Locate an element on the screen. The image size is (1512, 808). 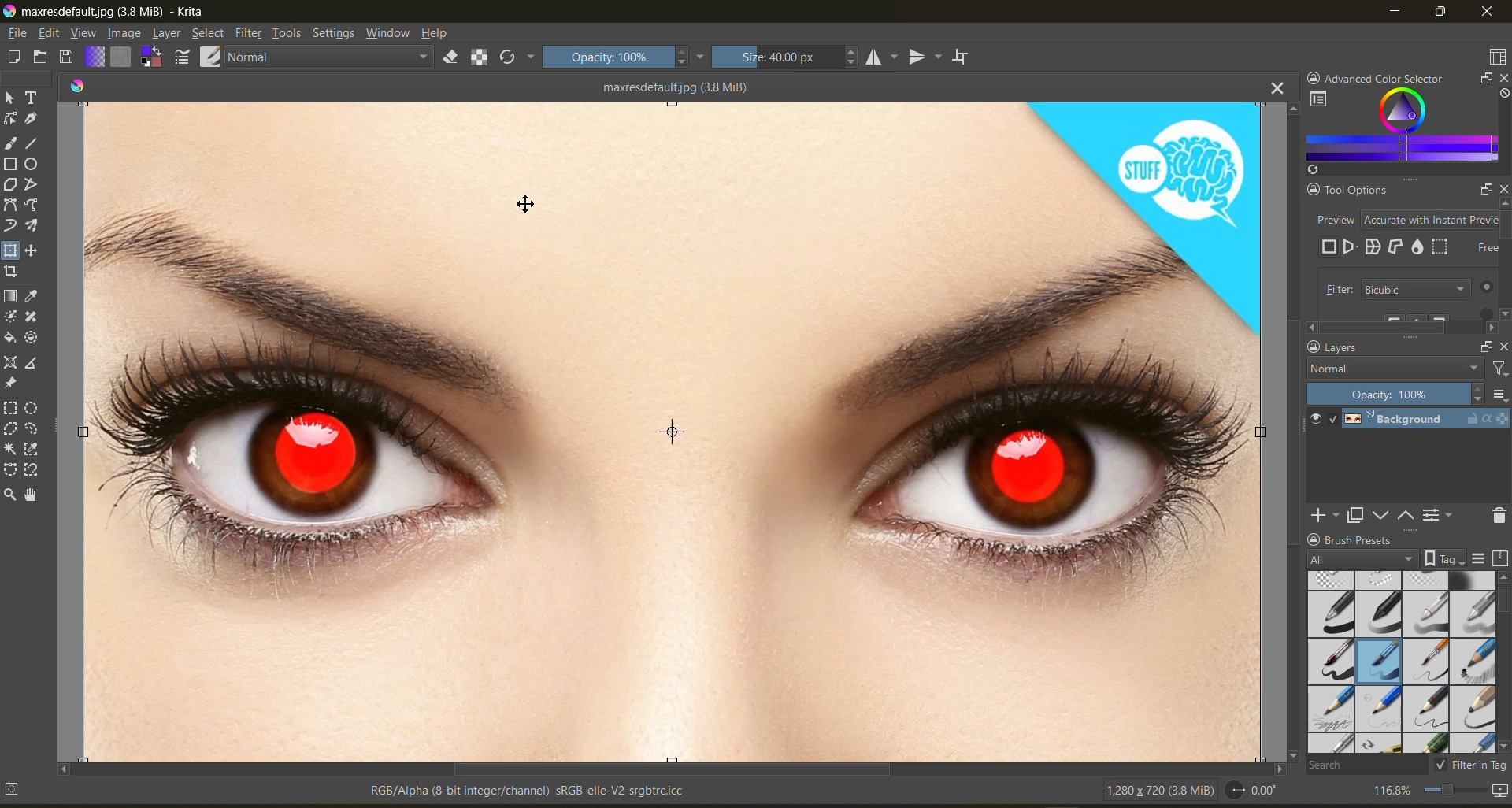
mesh is located at coordinates (1443, 246).